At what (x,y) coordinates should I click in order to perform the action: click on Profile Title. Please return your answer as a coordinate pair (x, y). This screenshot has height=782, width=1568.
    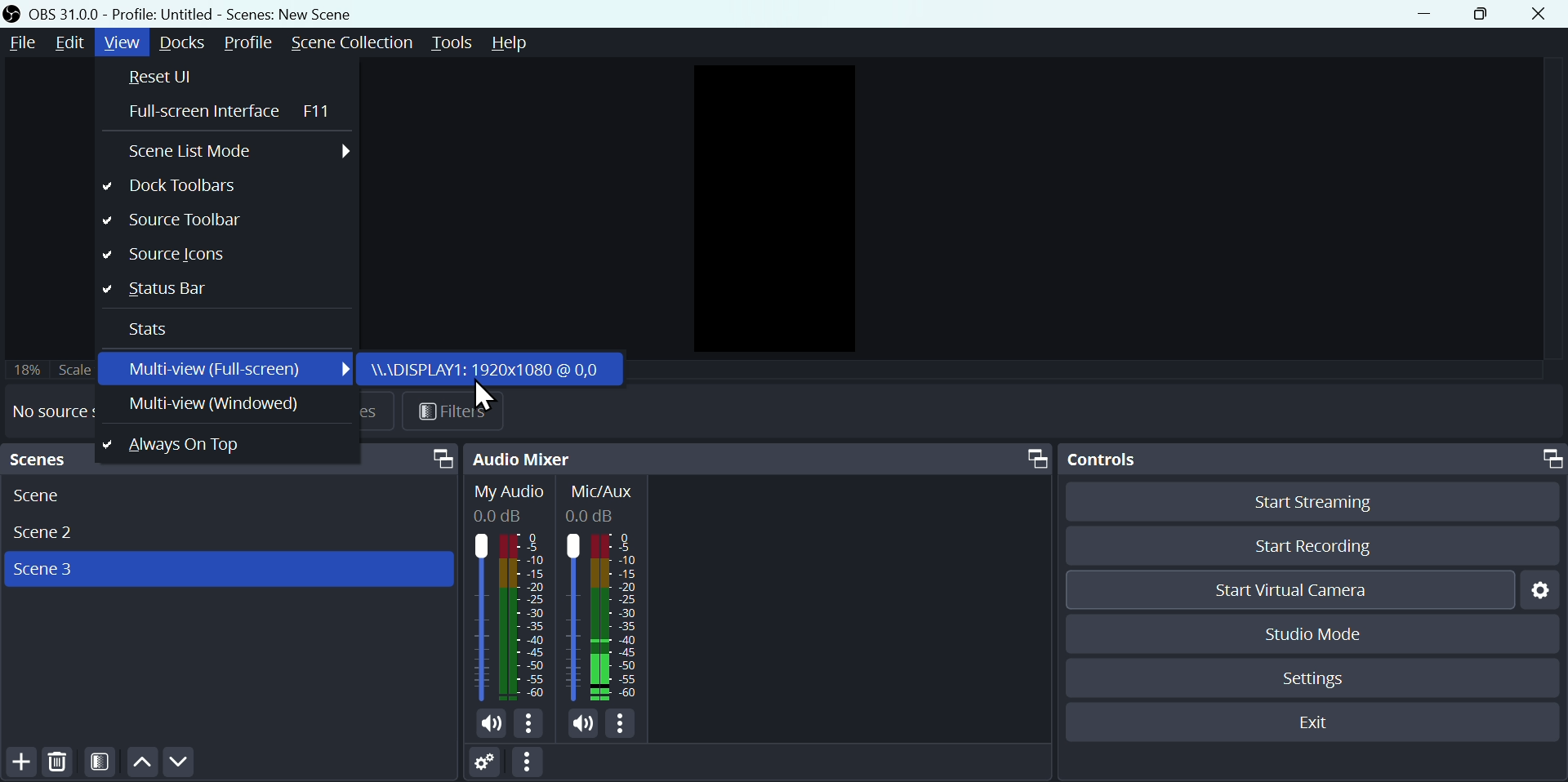
    Looking at the image, I should click on (163, 15).